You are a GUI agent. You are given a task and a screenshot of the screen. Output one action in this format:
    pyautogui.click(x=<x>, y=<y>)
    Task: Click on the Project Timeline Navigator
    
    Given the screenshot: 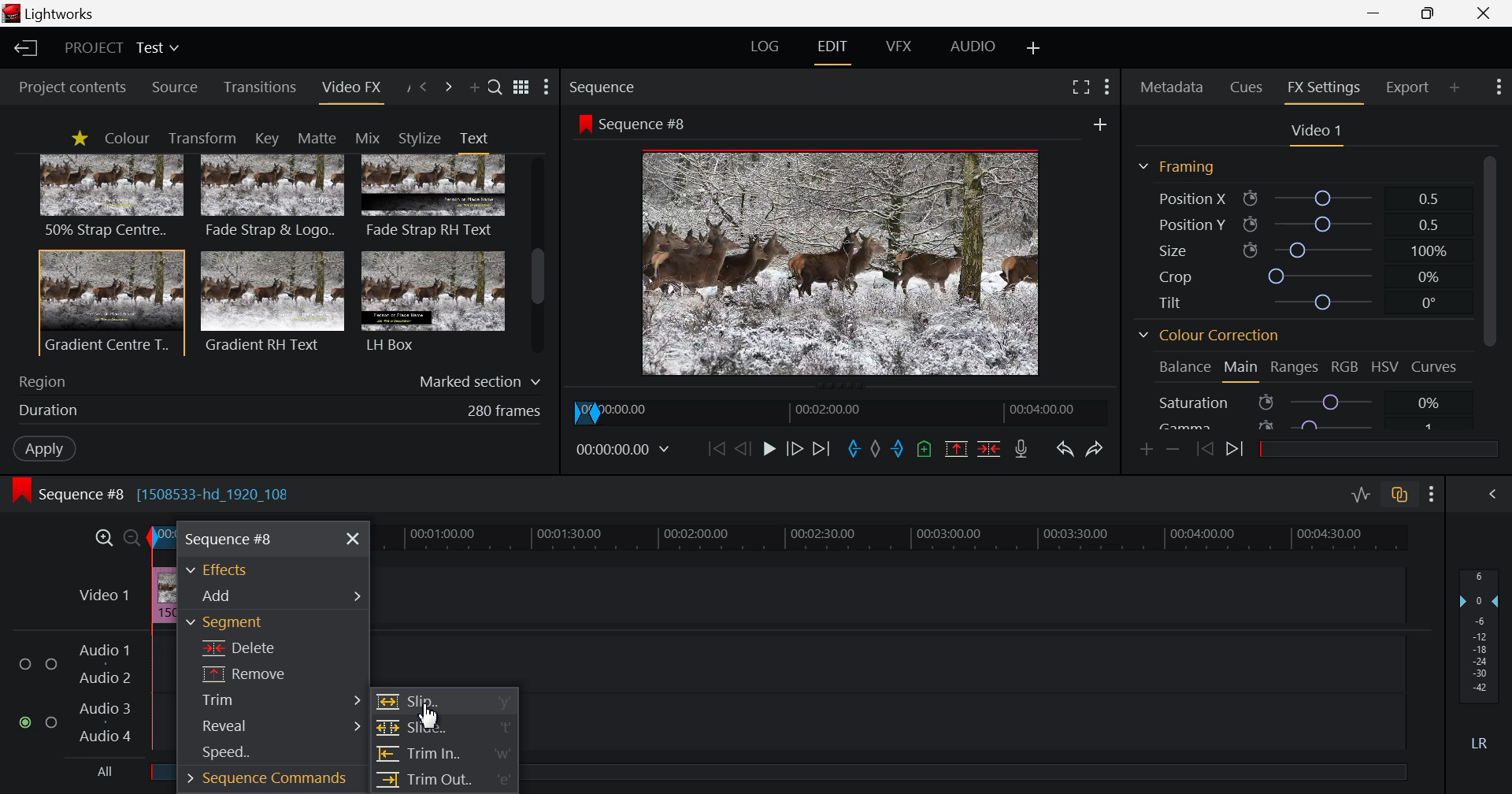 What is the action you would take?
    pyautogui.click(x=845, y=409)
    